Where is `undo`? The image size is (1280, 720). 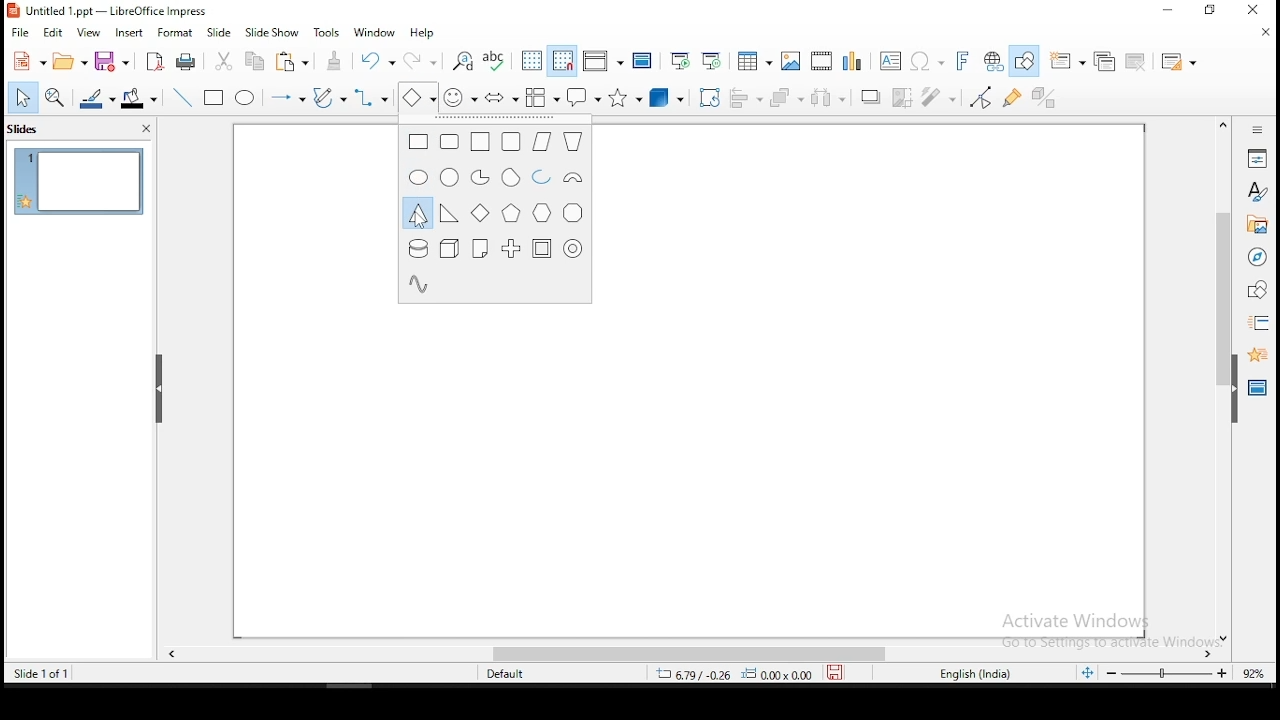 undo is located at coordinates (378, 61).